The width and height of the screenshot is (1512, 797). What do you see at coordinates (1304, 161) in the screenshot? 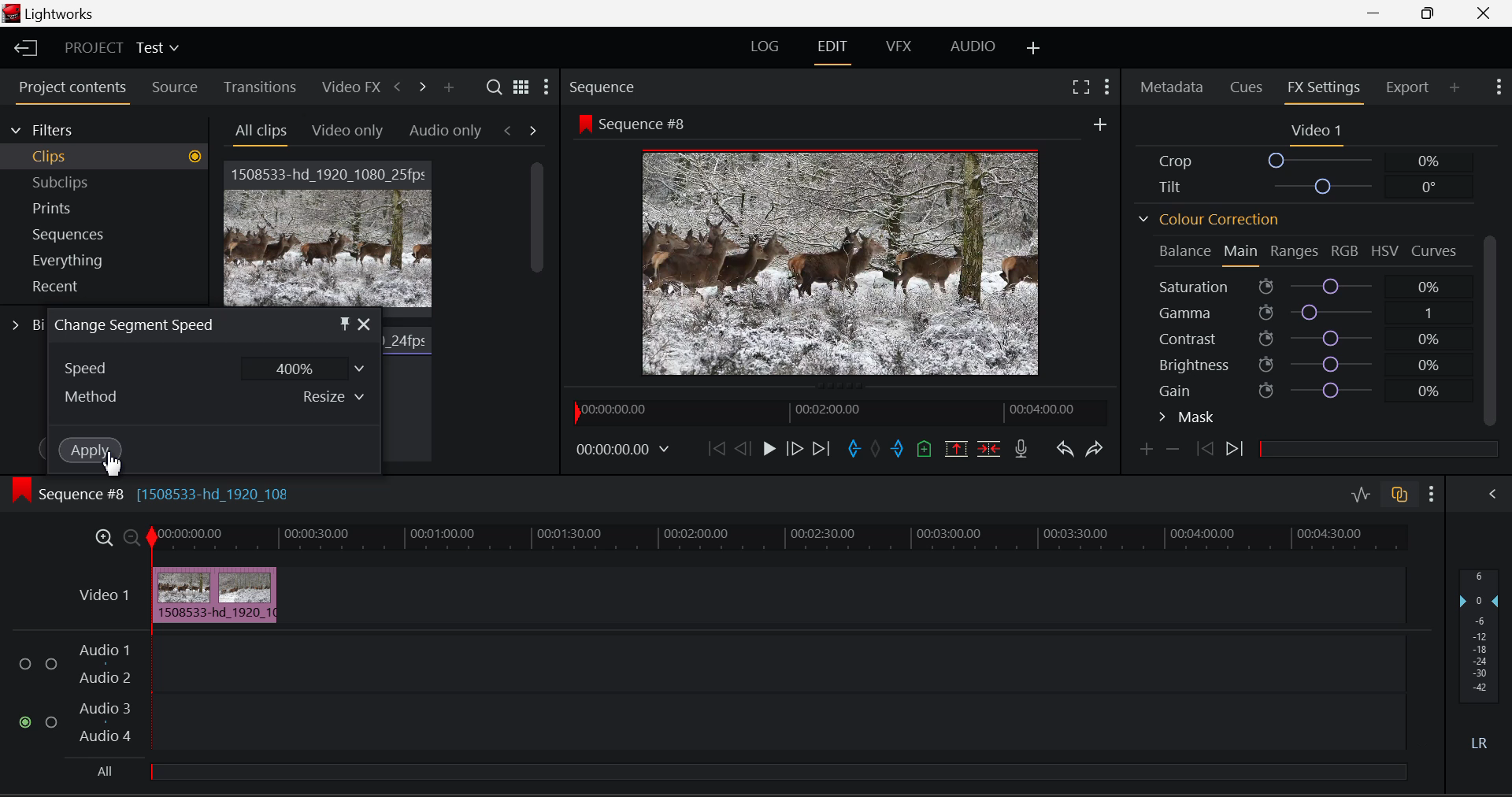
I see `Crop` at bounding box center [1304, 161].